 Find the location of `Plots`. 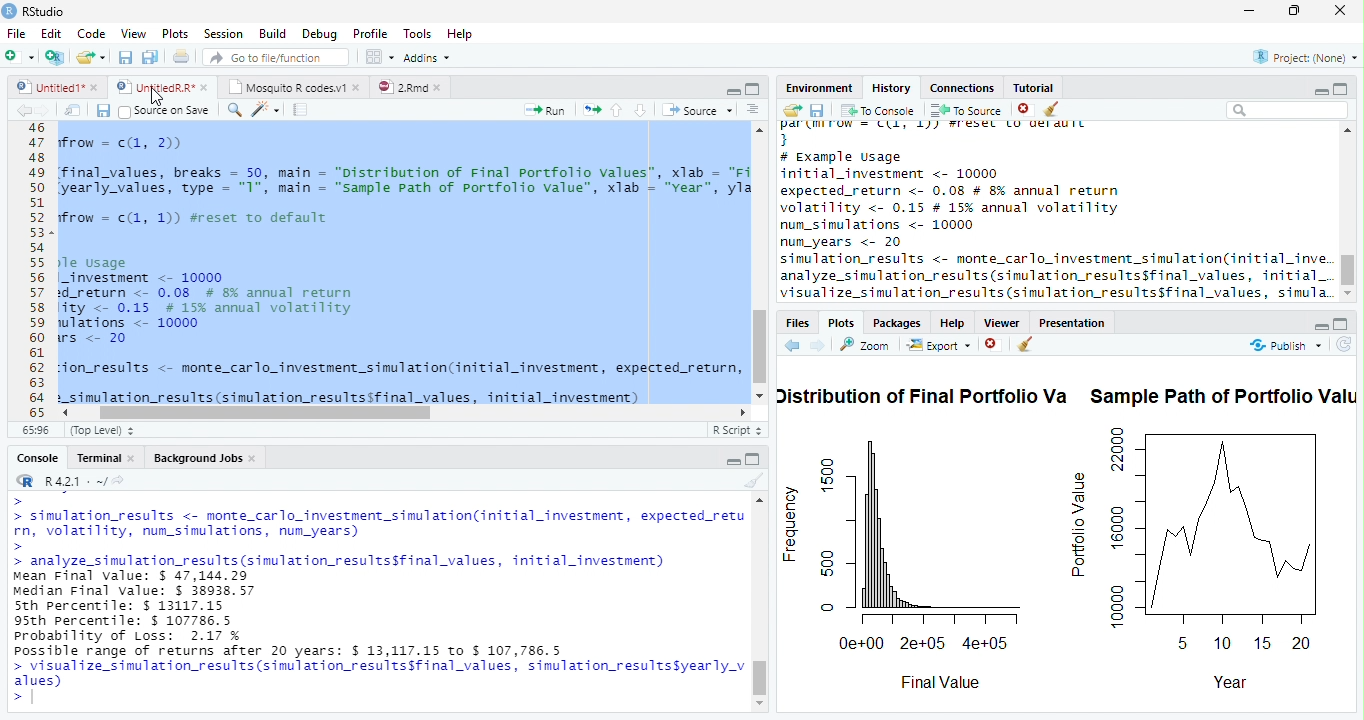

Plots is located at coordinates (174, 34).